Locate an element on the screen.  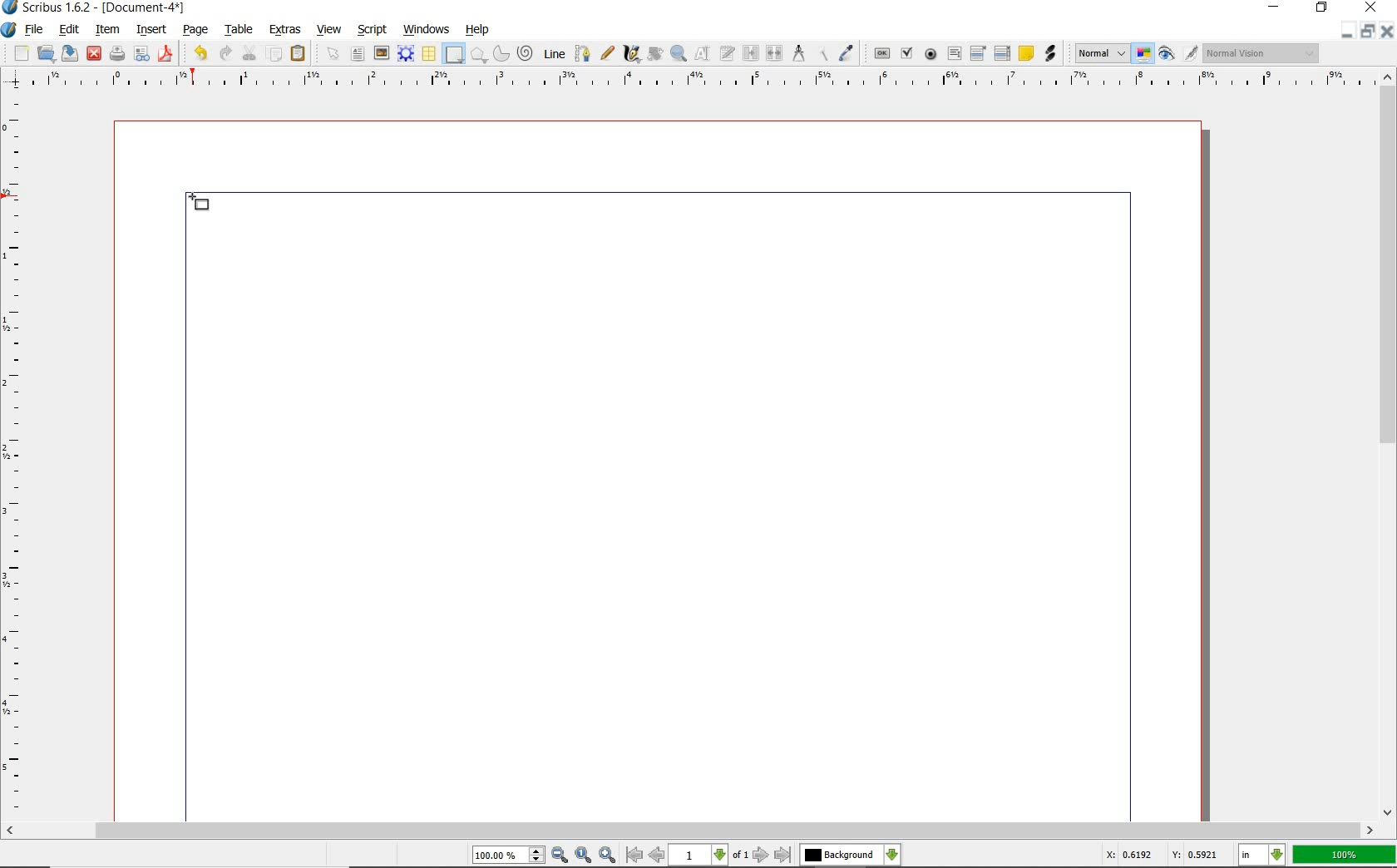
polygon is located at coordinates (479, 56).